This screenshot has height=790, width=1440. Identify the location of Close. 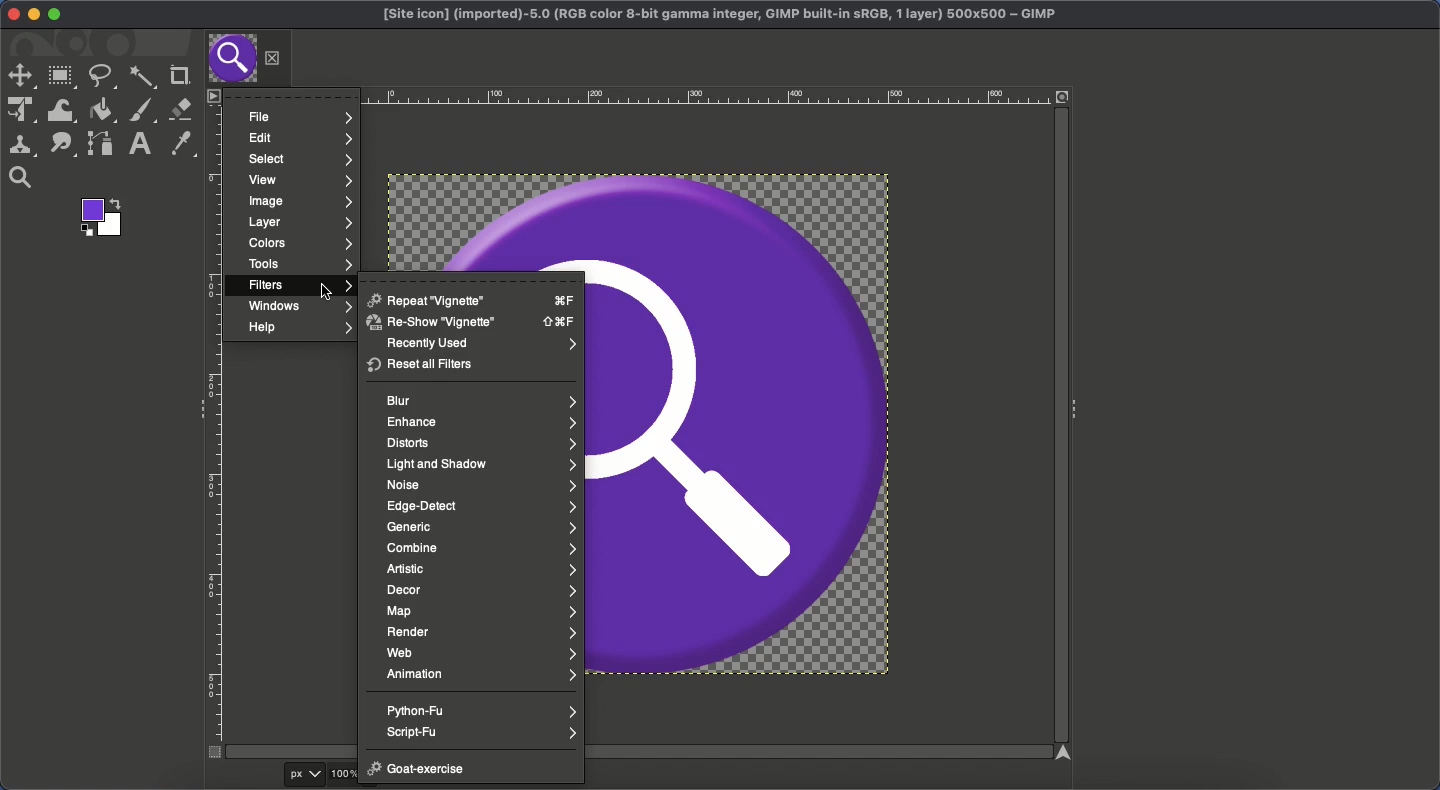
(9, 14).